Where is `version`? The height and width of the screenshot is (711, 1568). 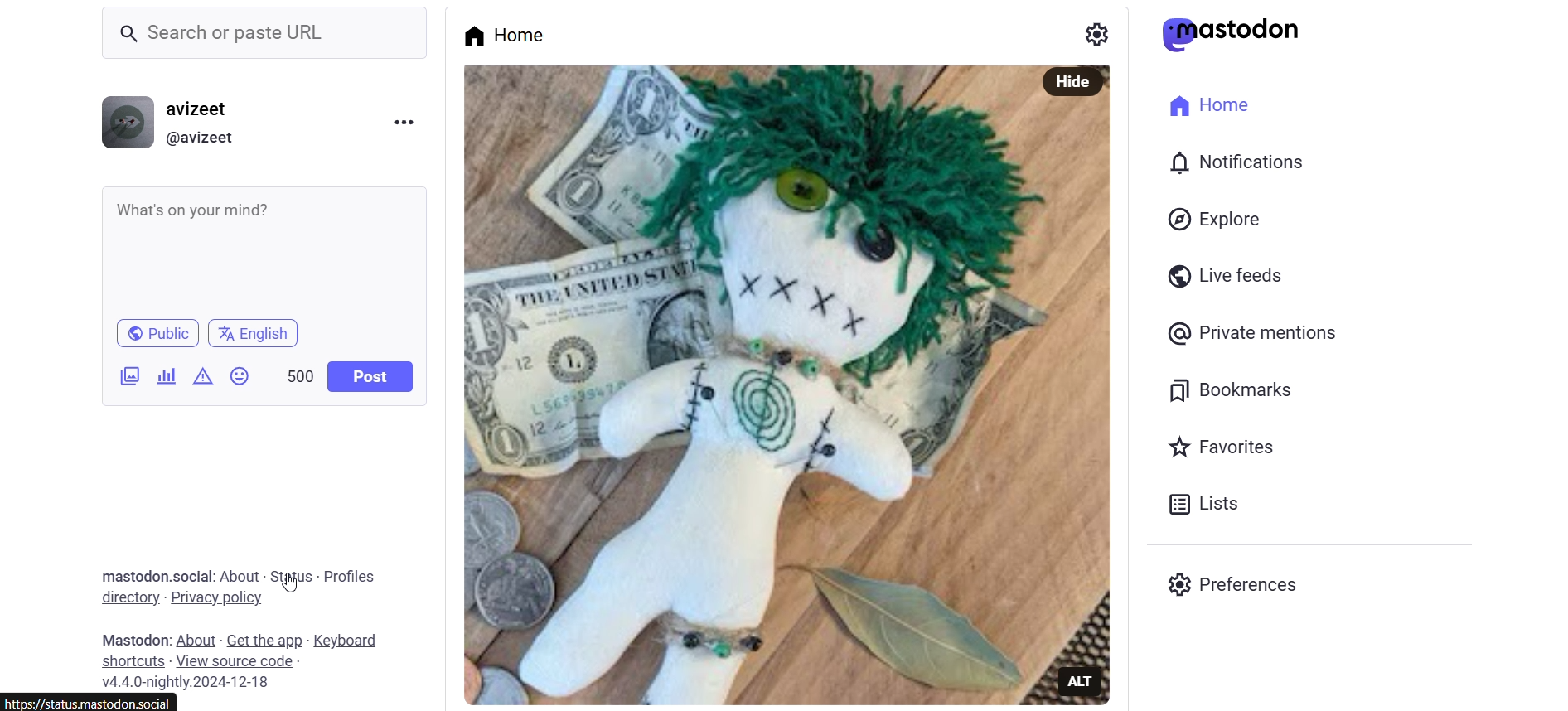 version is located at coordinates (192, 681).